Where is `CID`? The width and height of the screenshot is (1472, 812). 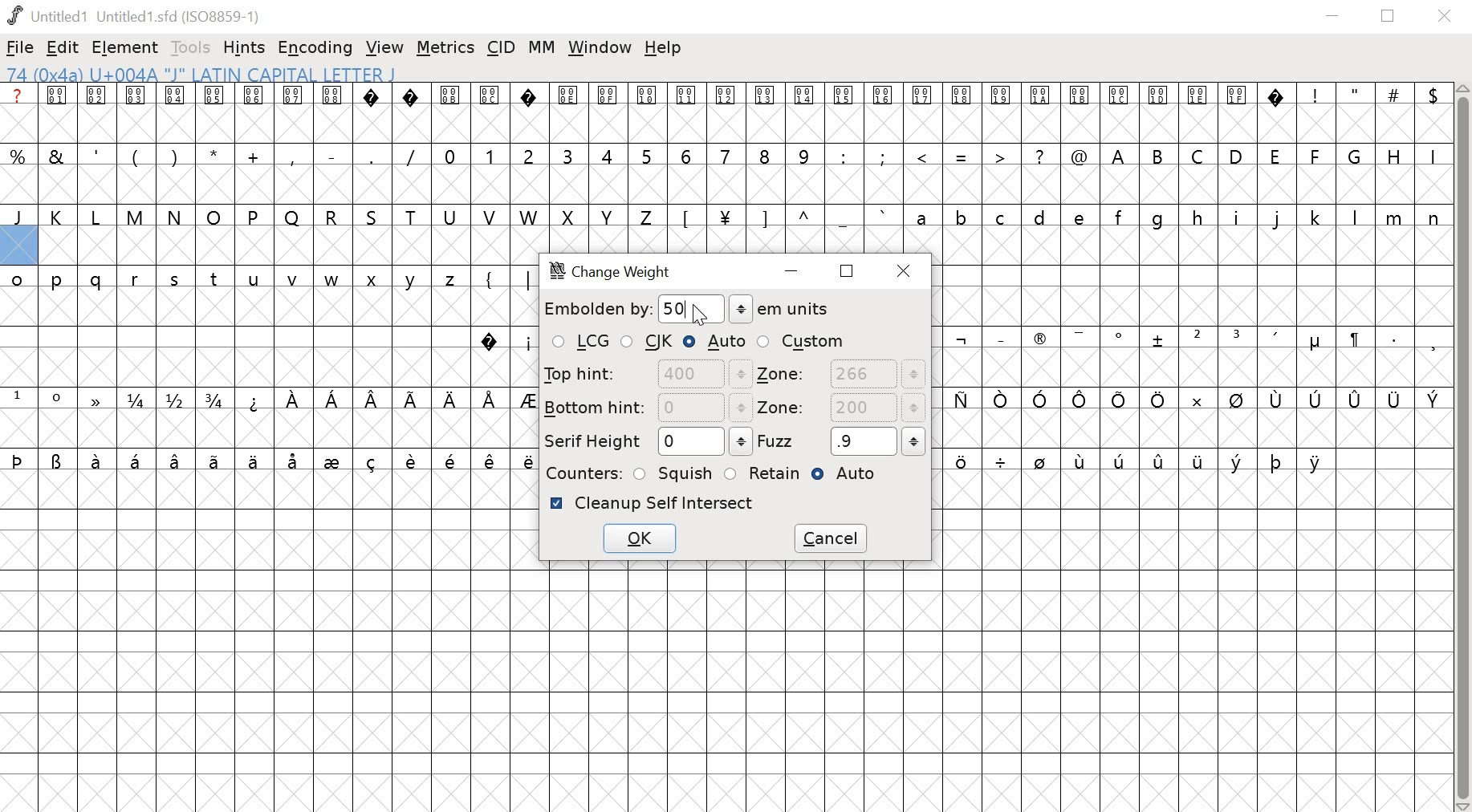
CID is located at coordinates (502, 47).